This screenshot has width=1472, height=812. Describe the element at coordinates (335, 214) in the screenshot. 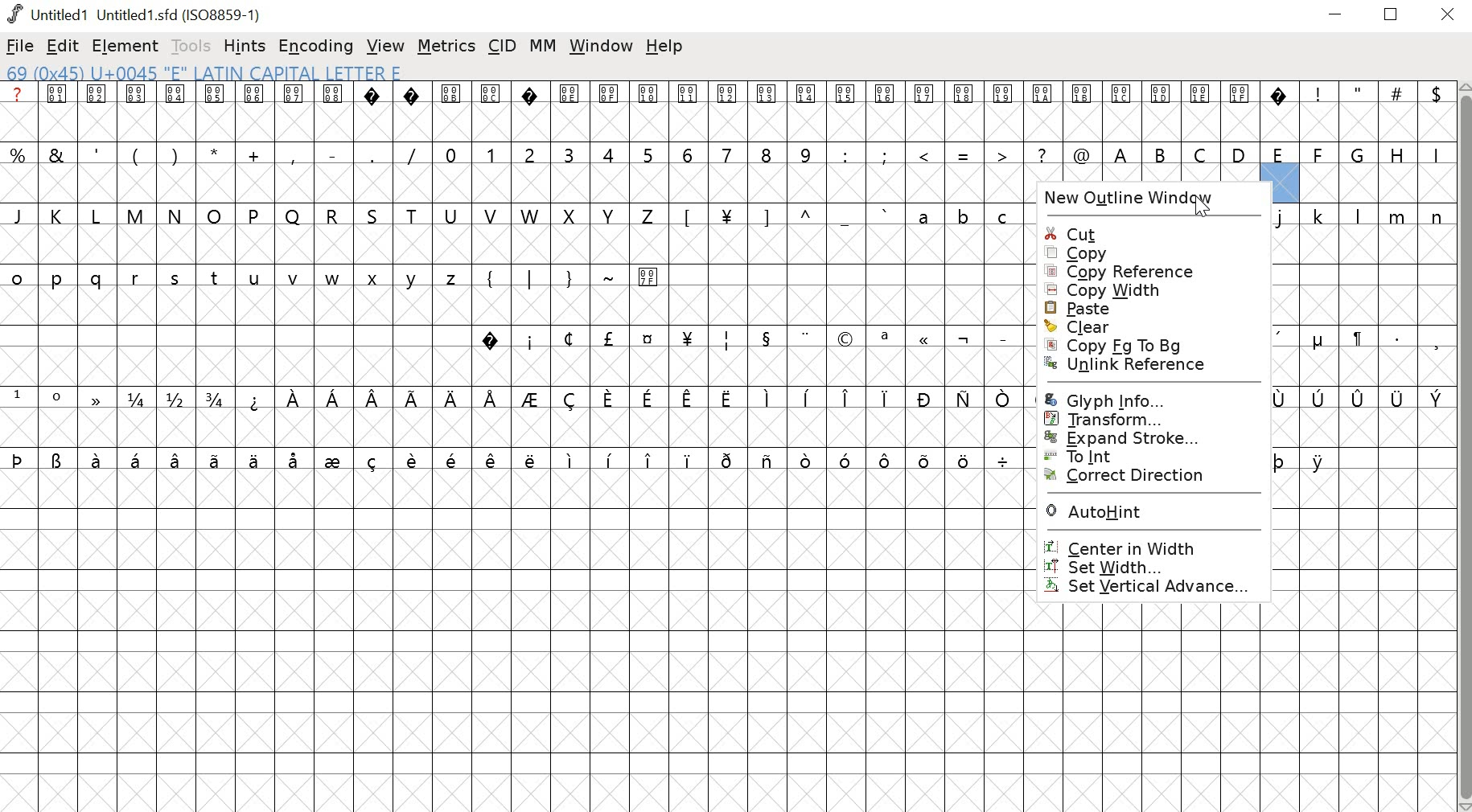

I see `uppercase alphabets` at that location.